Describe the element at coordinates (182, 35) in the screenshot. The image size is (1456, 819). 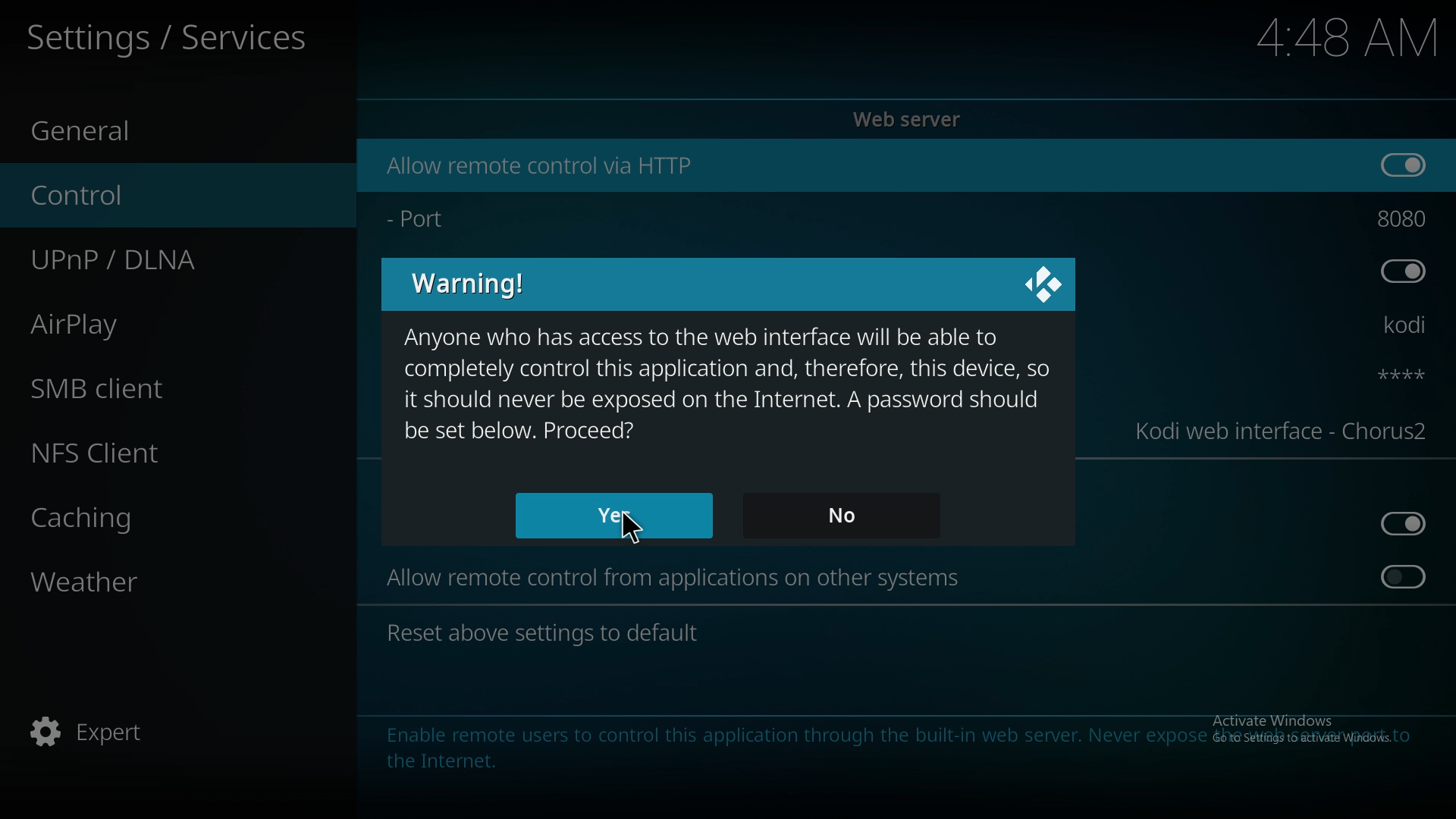
I see `services` at that location.